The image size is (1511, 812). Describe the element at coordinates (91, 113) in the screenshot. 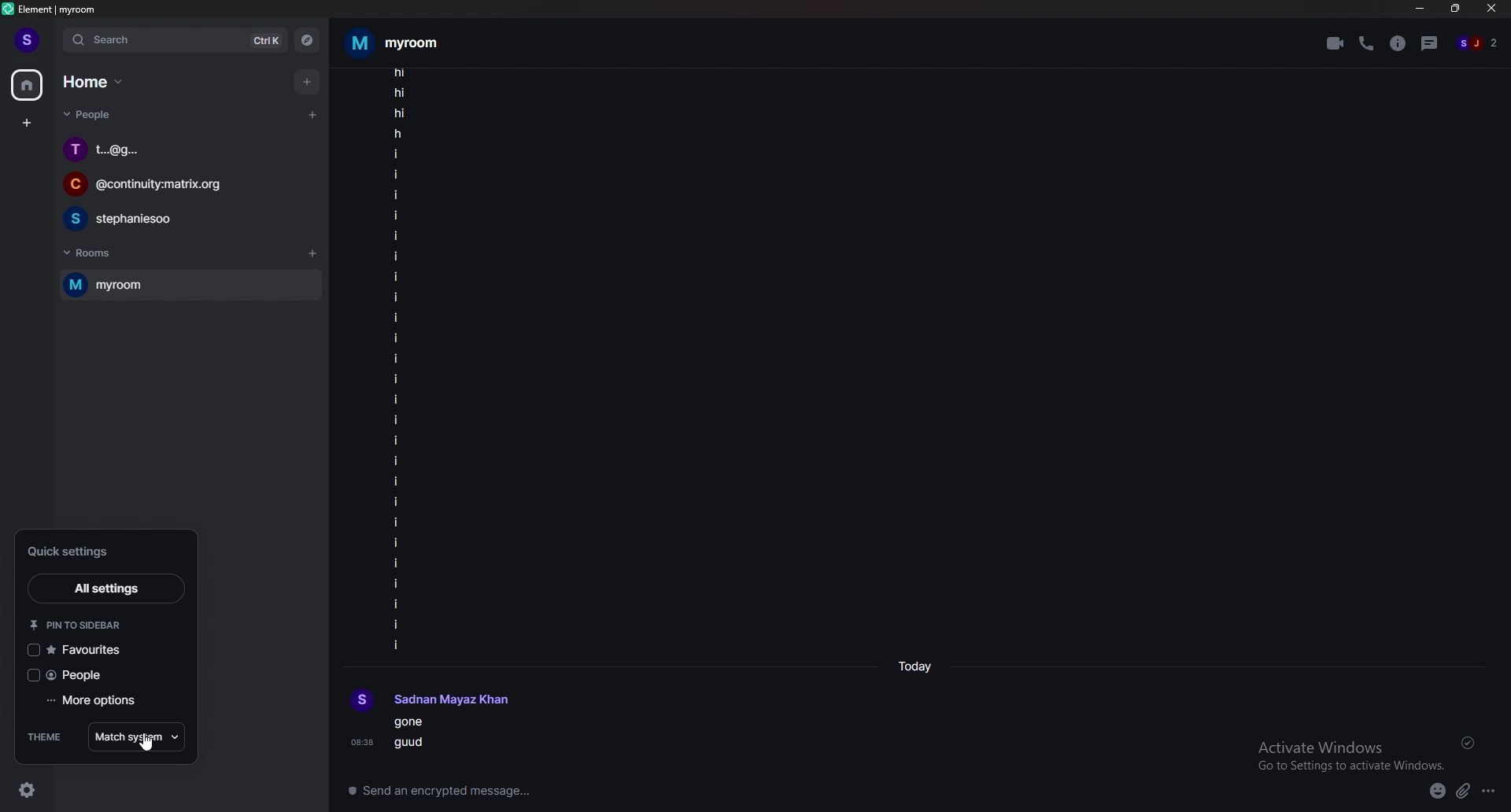

I see `people` at that location.